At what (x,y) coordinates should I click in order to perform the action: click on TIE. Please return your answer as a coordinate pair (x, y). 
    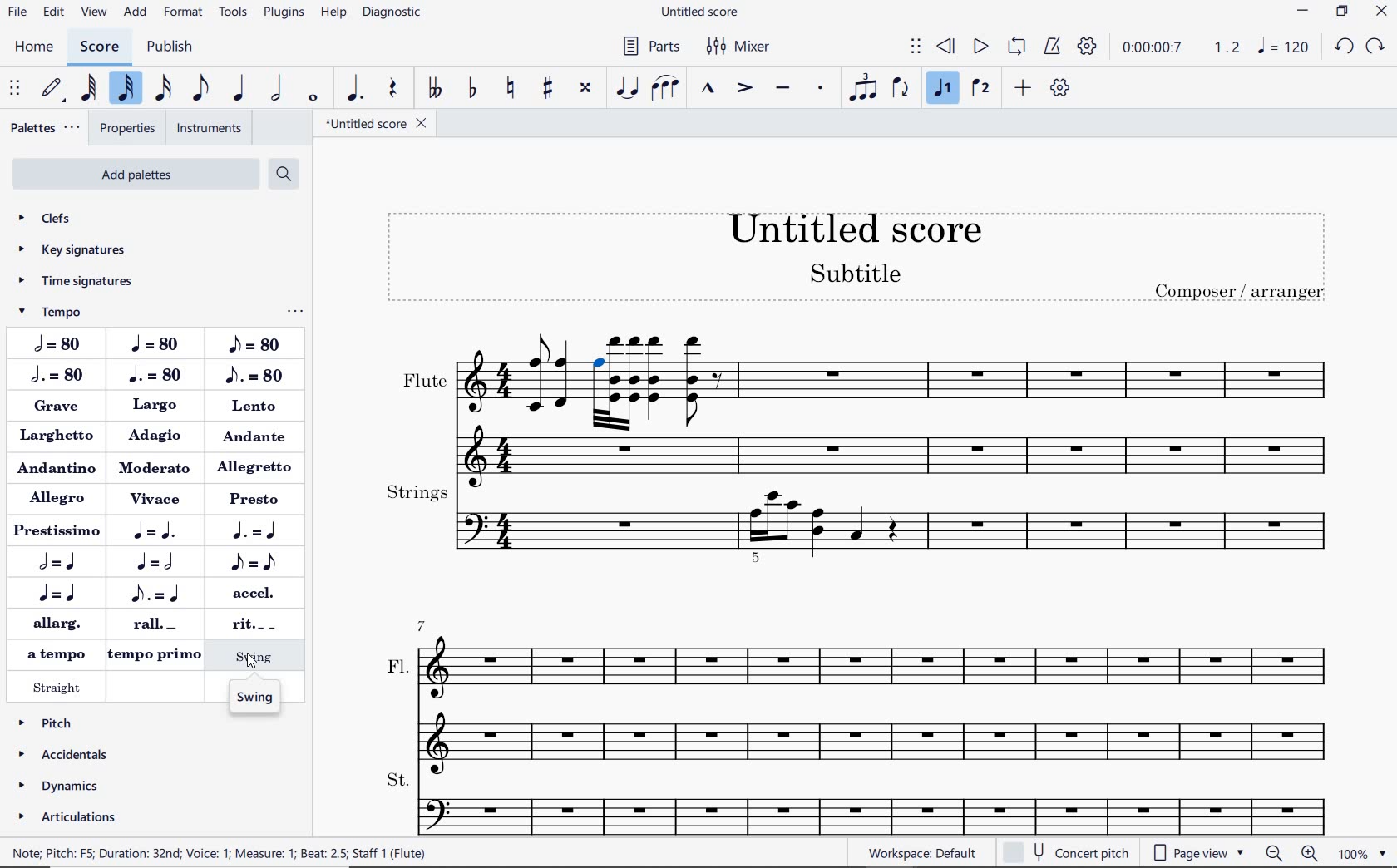
    Looking at the image, I should click on (629, 89).